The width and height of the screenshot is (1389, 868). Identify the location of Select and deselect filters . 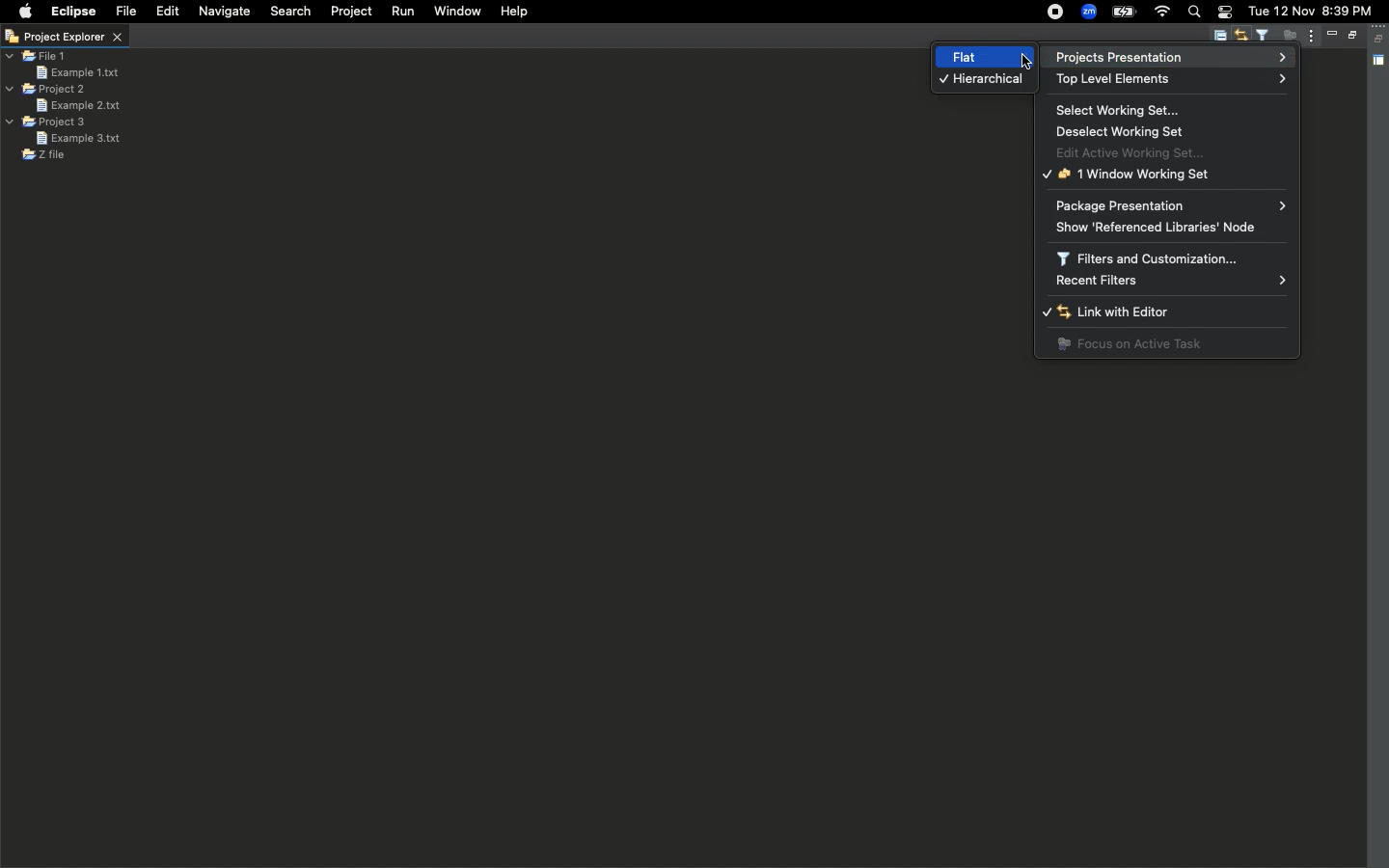
(1266, 36).